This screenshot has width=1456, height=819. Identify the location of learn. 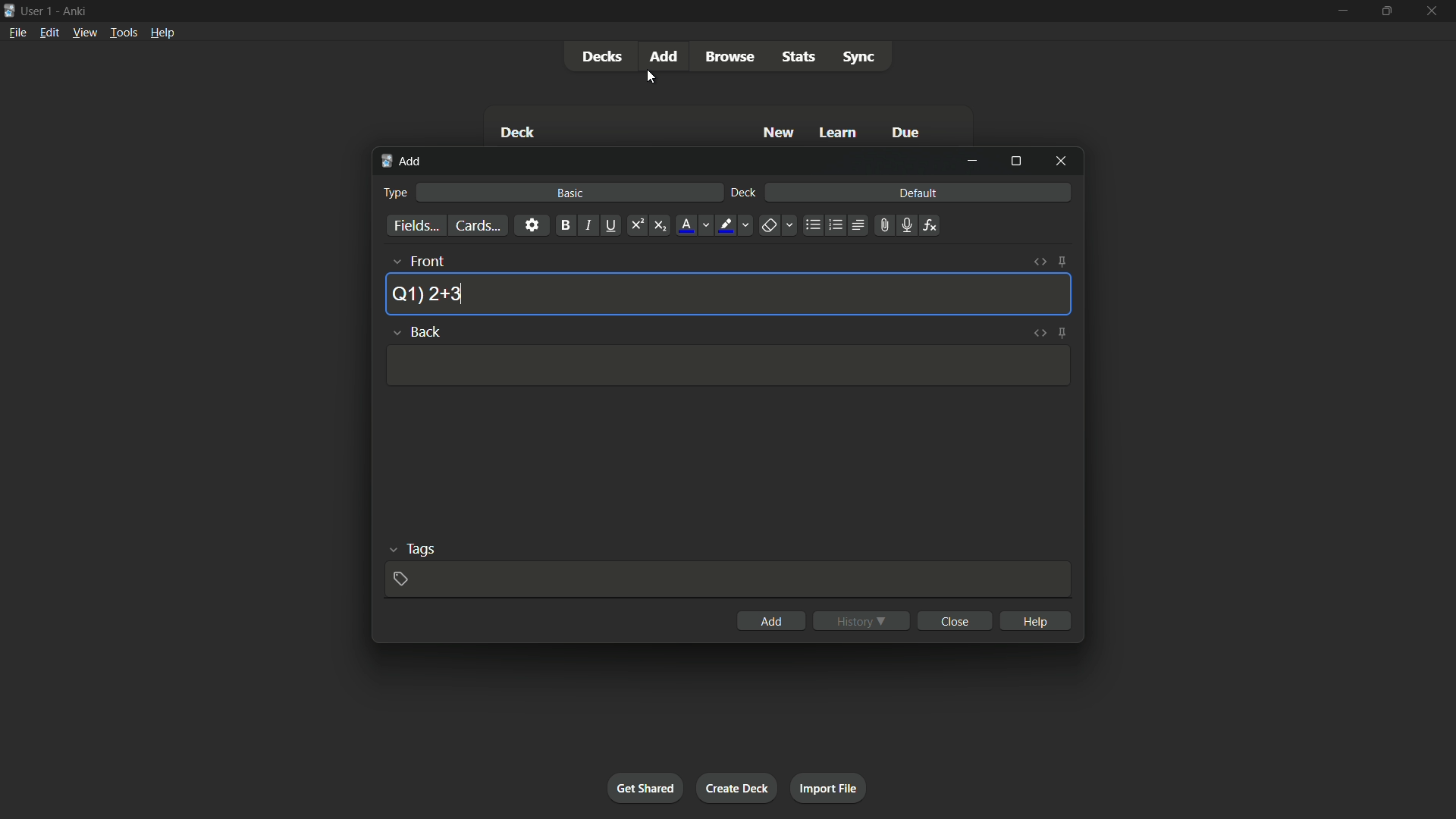
(838, 133).